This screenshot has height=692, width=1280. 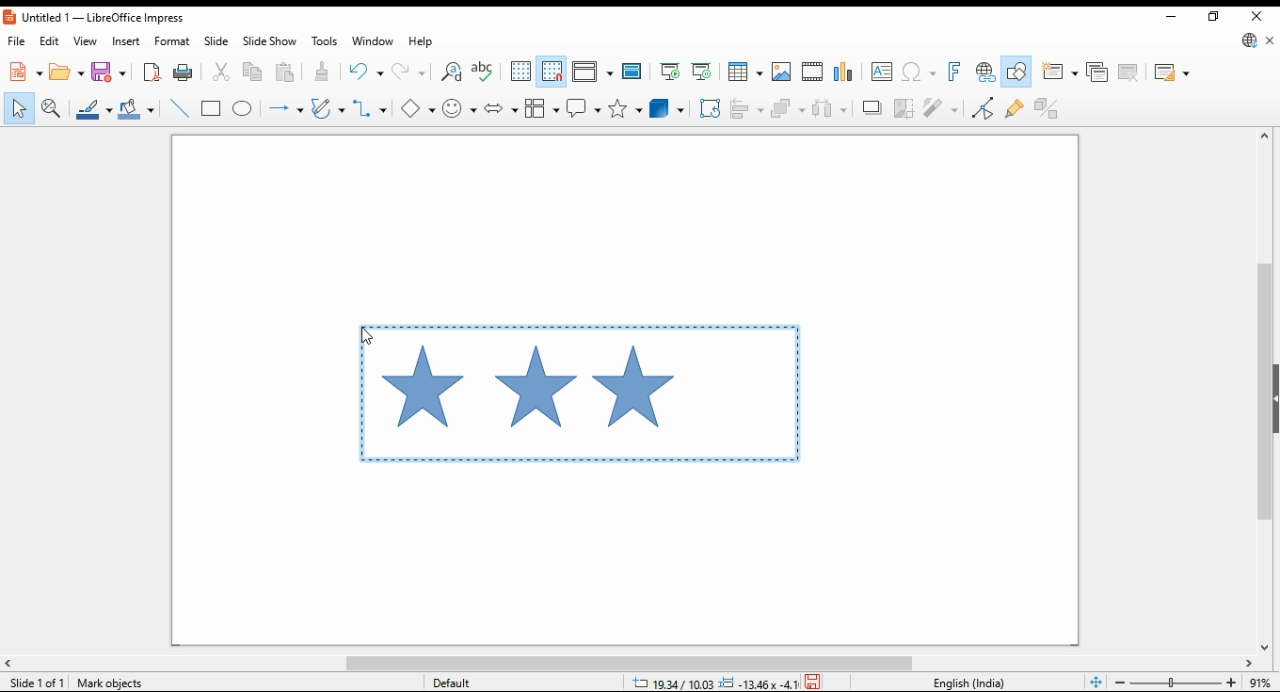 I want to click on default, so click(x=474, y=681).